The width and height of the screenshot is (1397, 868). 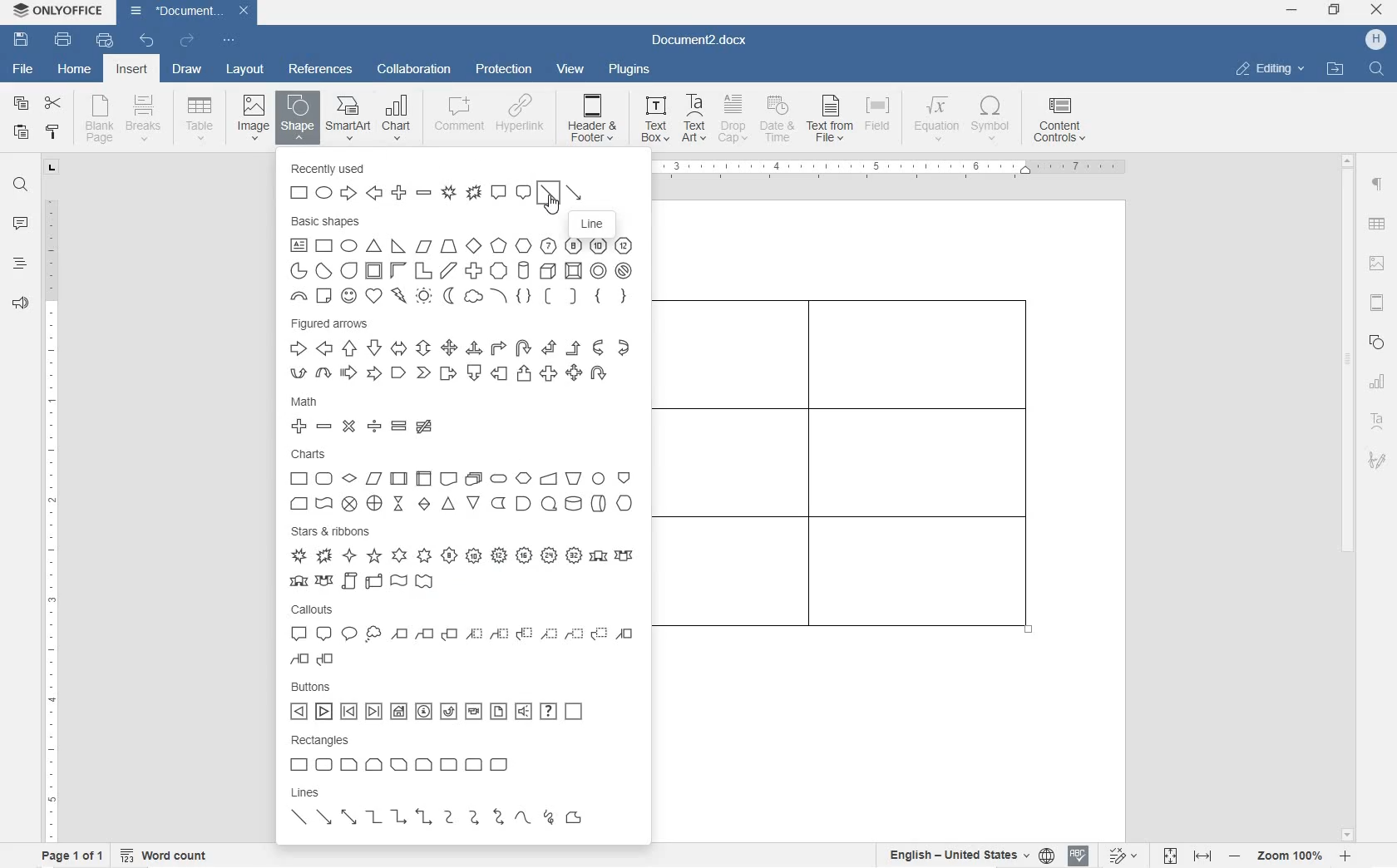 What do you see at coordinates (414, 70) in the screenshot?
I see `collaboration` at bounding box center [414, 70].